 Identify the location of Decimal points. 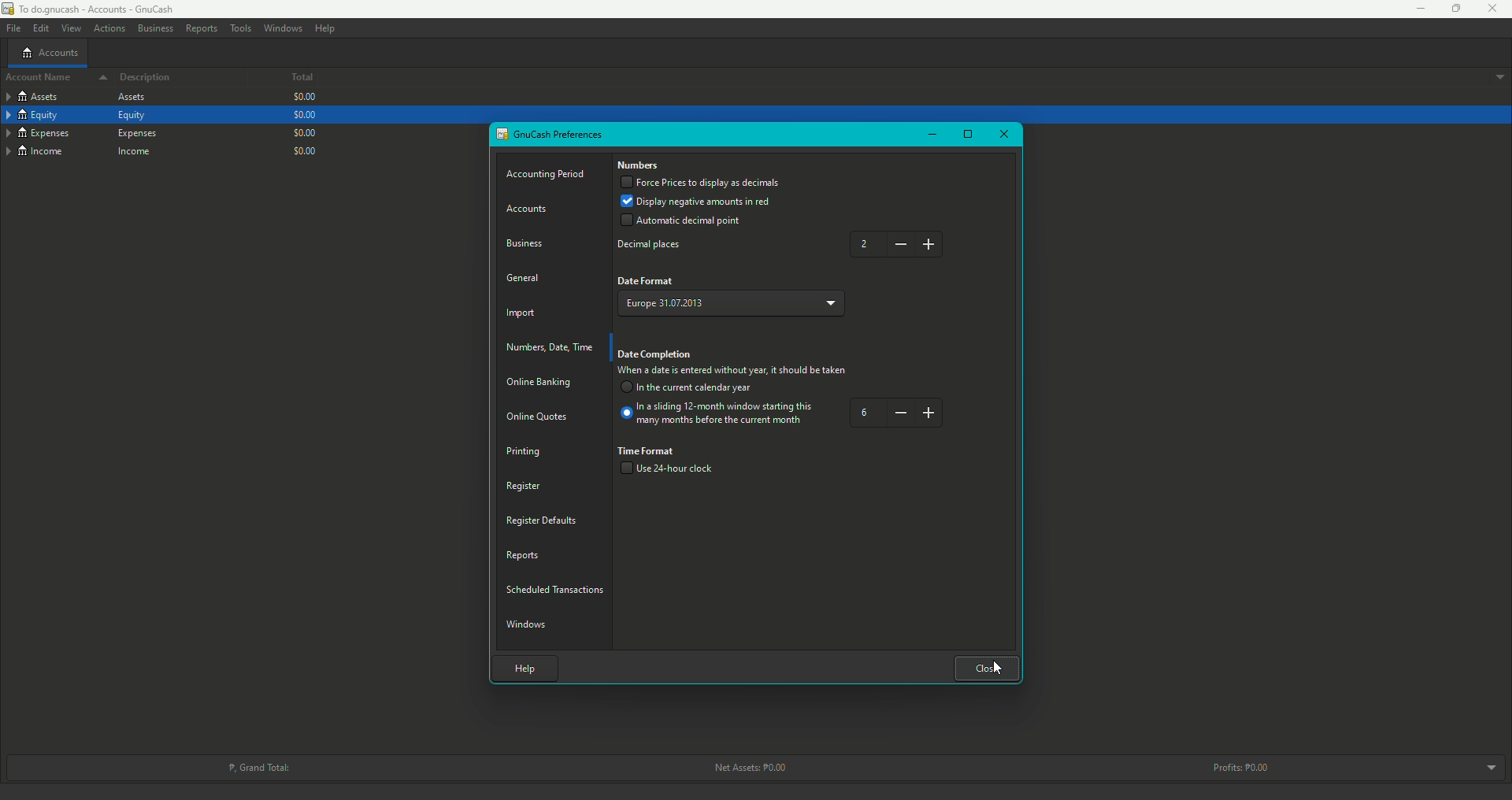
(653, 246).